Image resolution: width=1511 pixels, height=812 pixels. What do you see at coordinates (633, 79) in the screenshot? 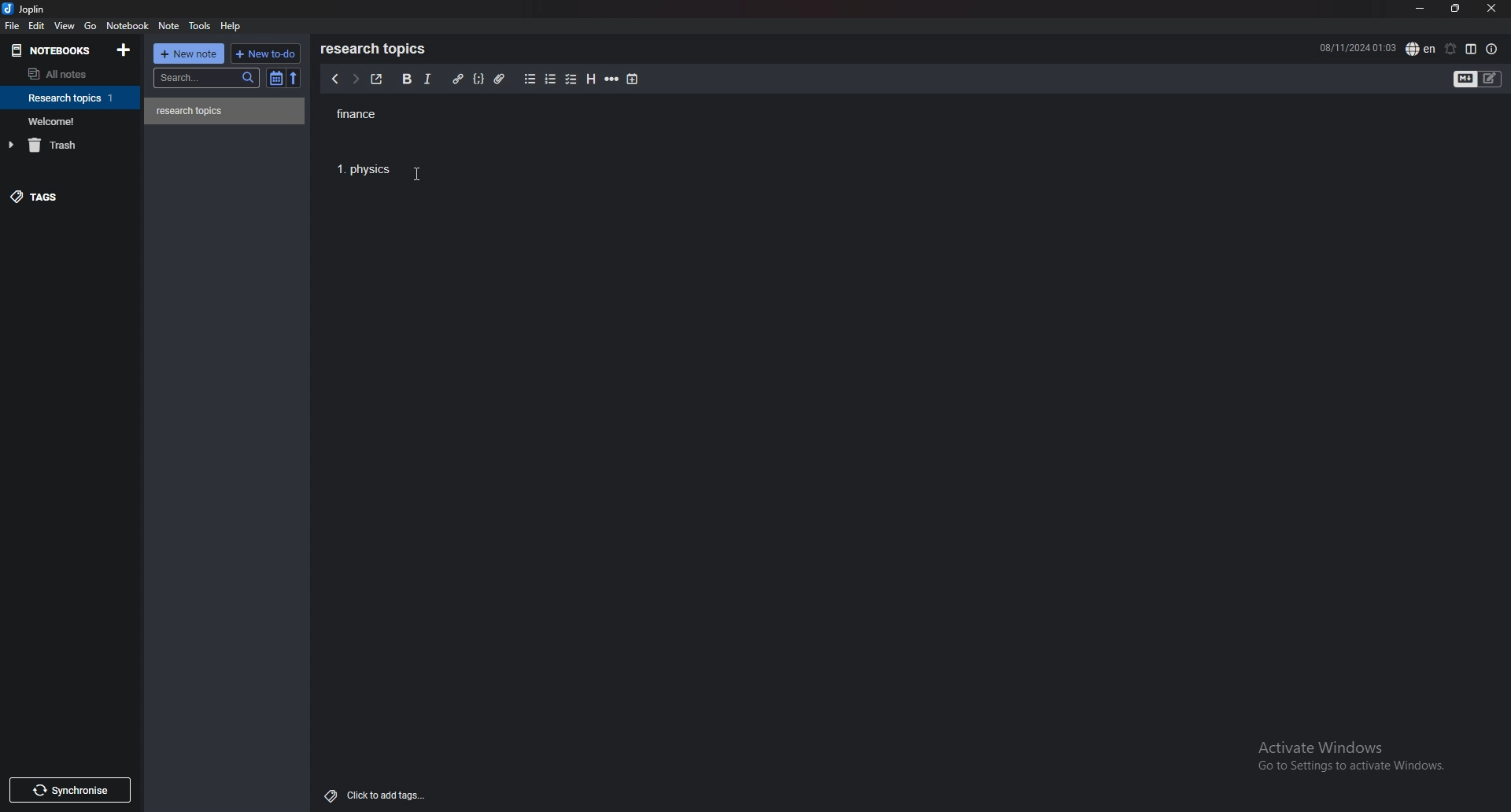
I see `add time` at bounding box center [633, 79].